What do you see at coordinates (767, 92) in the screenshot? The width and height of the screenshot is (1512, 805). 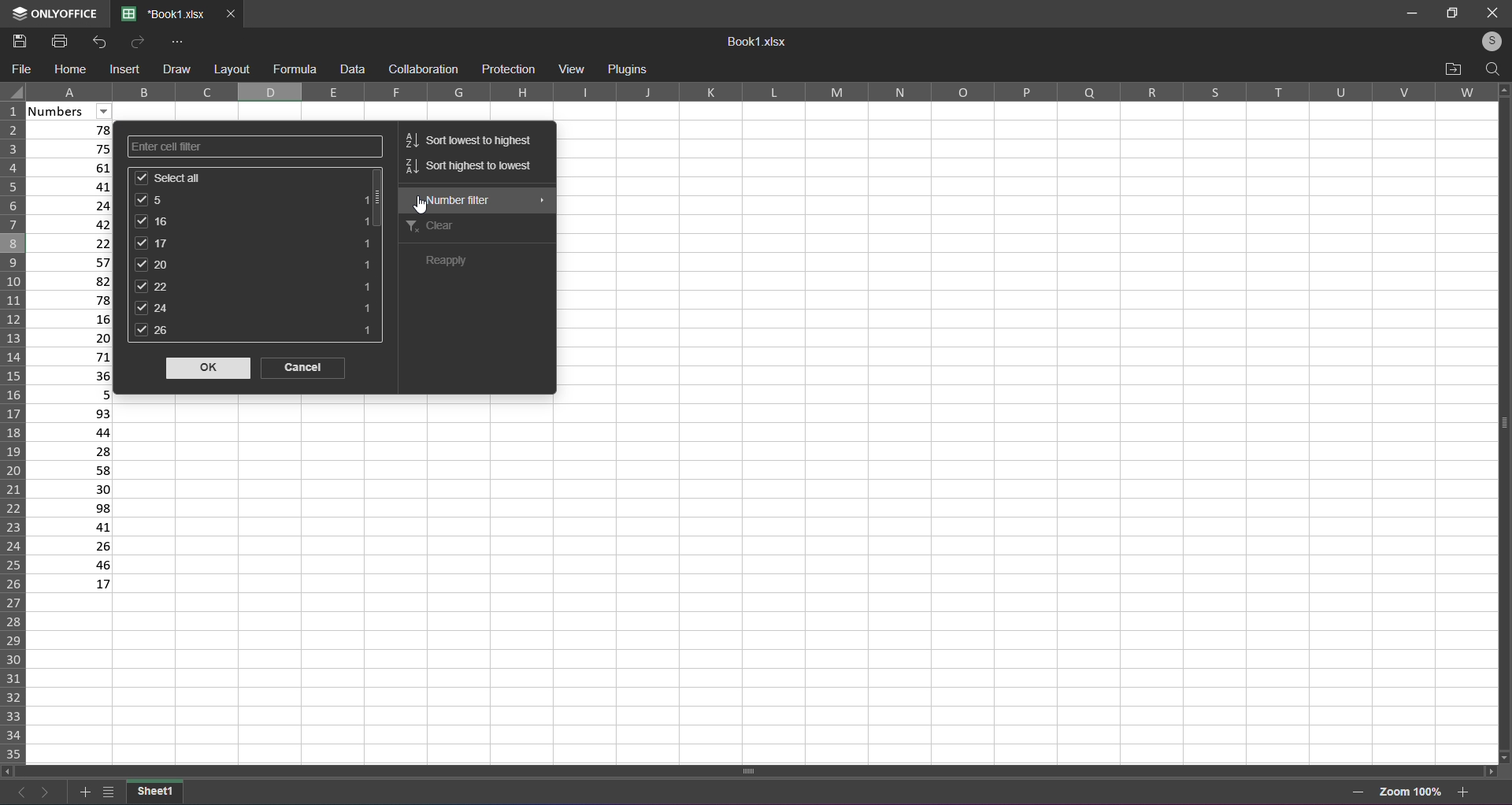 I see `Column Labels` at bounding box center [767, 92].